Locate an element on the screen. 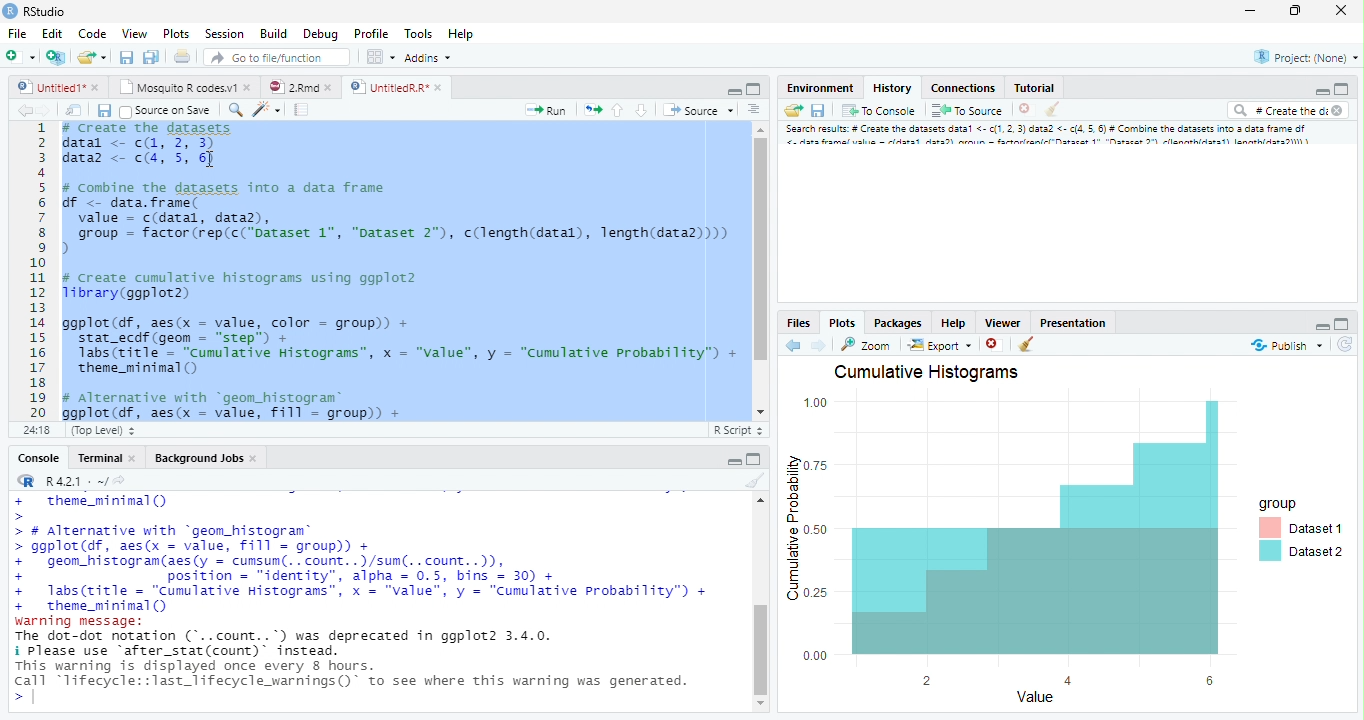 The image size is (1364, 720). Help is located at coordinates (460, 34).